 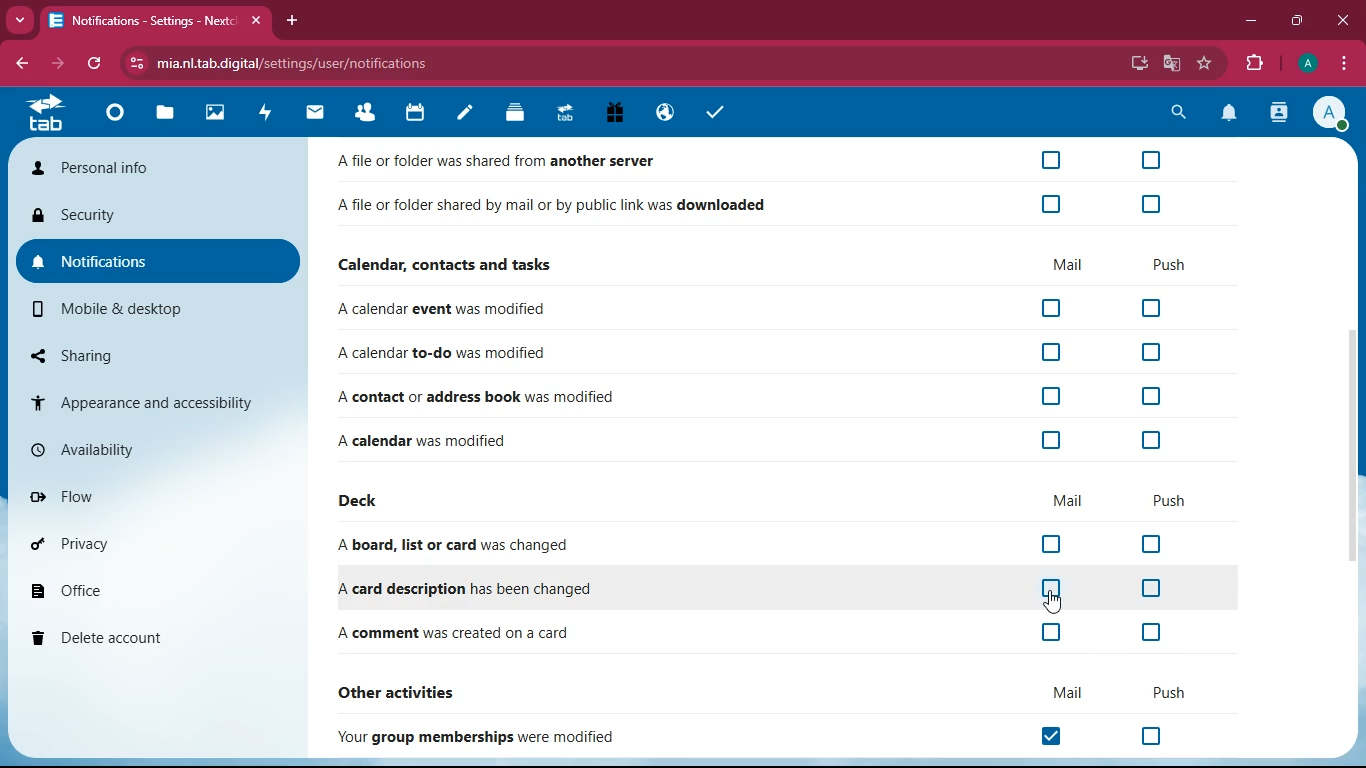 I want to click on Your group memberships were modified, so click(x=484, y=737).